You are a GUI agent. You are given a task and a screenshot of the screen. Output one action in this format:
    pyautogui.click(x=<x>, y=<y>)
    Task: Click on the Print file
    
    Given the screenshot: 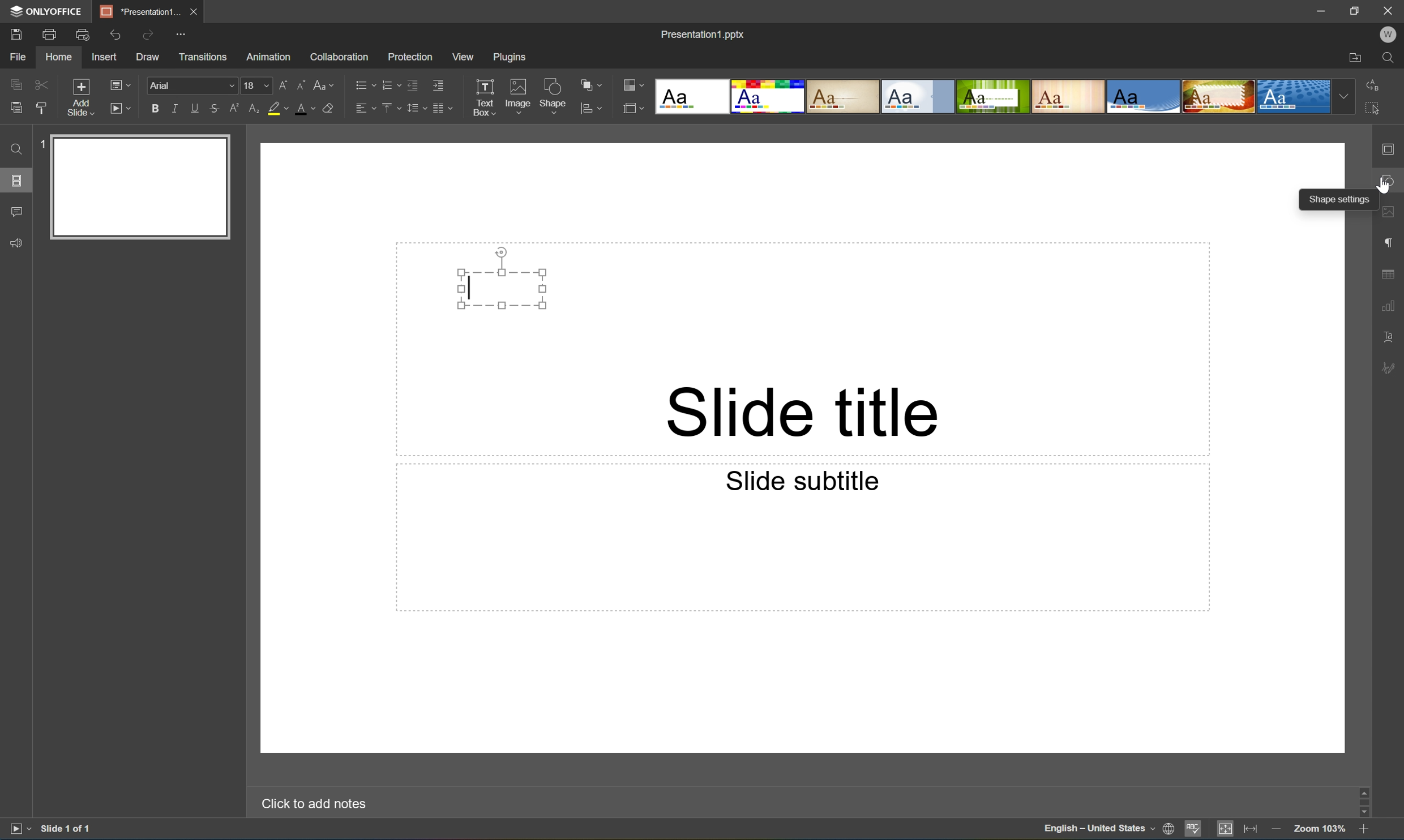 What is the action you would take?
    pyautogui.click(x=50, y=35)
    